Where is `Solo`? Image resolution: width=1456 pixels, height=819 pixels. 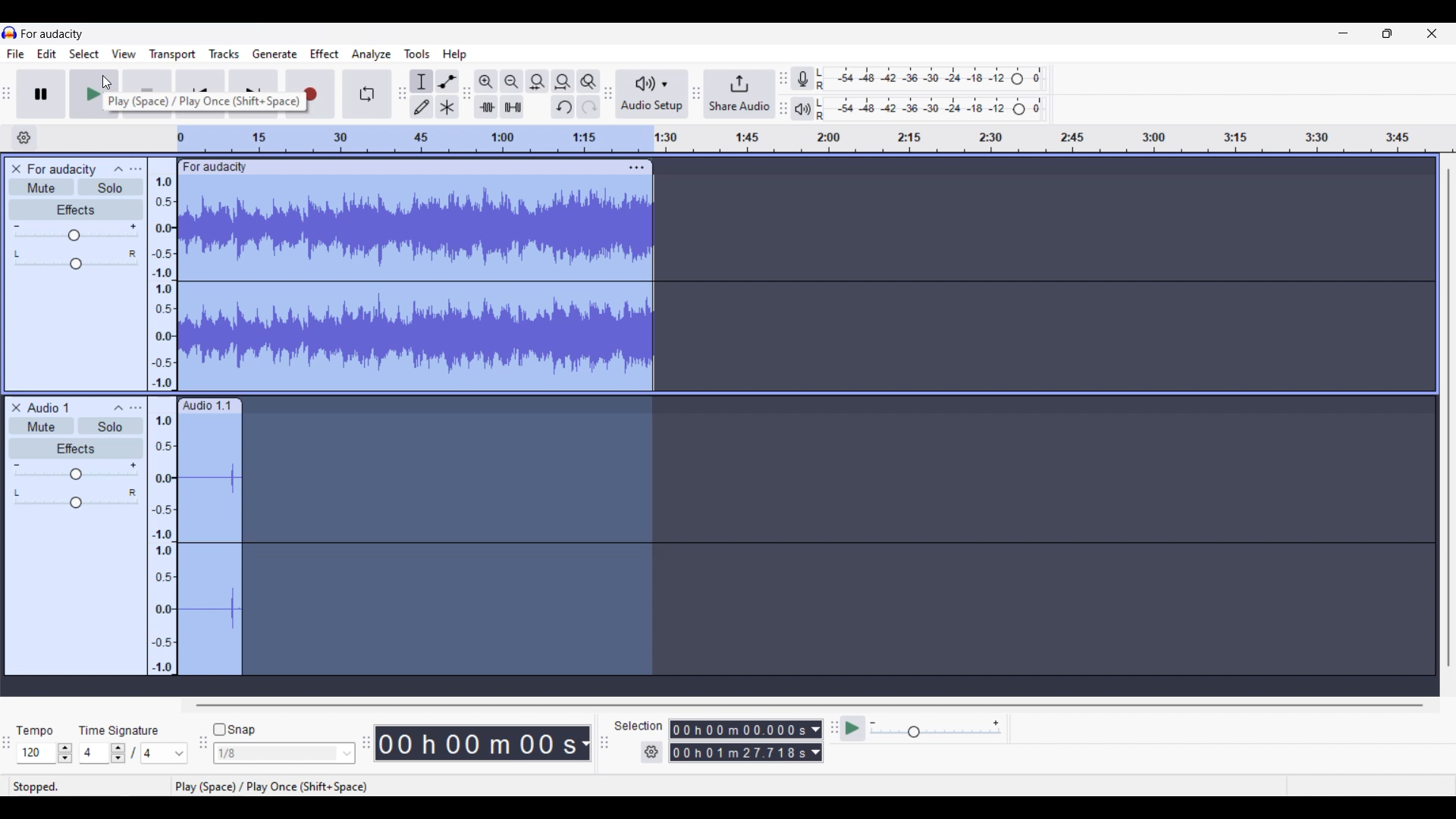 Solo is located at coordinates (111, 187).